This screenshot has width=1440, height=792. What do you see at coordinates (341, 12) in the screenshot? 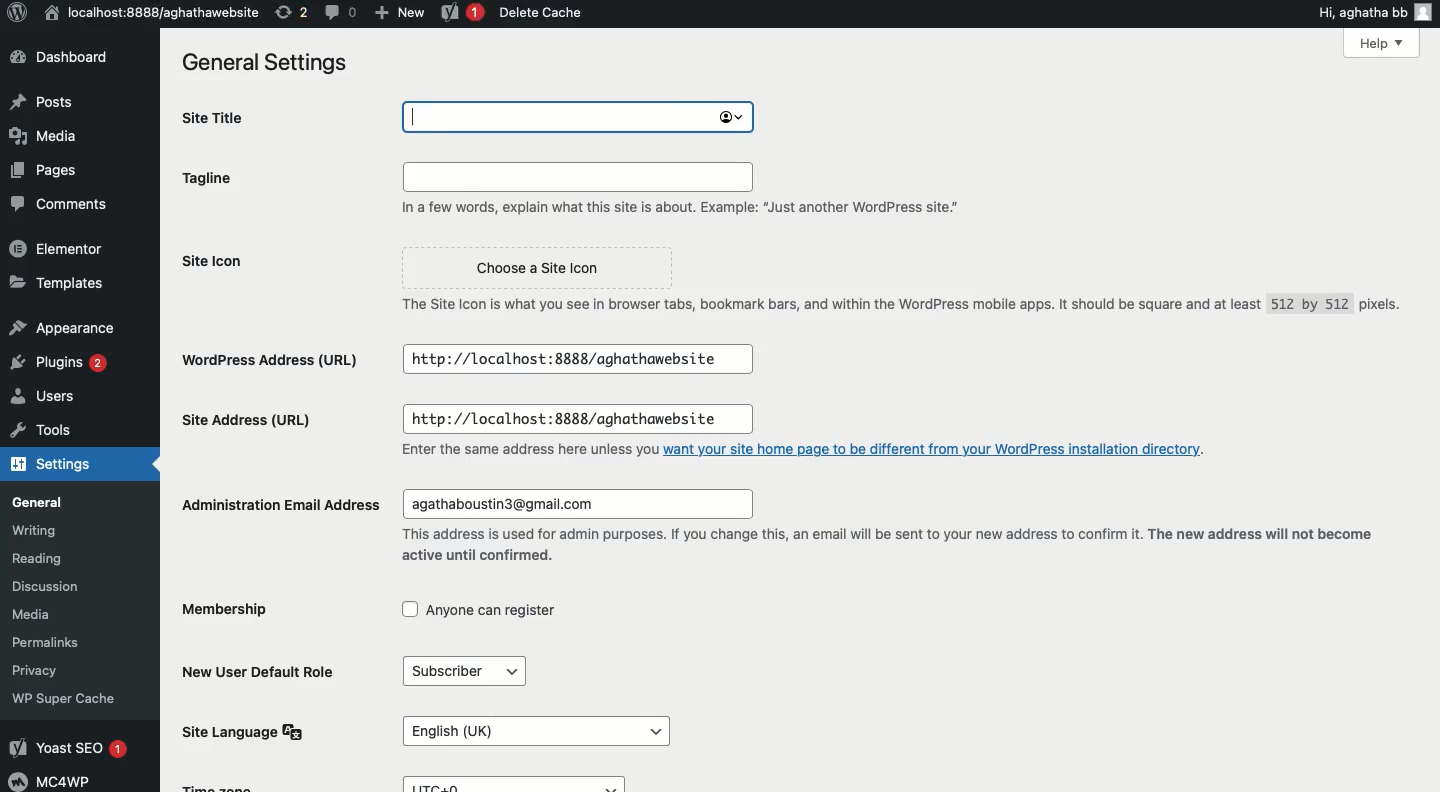
I see `Comment` at bounding box center [341, 12].